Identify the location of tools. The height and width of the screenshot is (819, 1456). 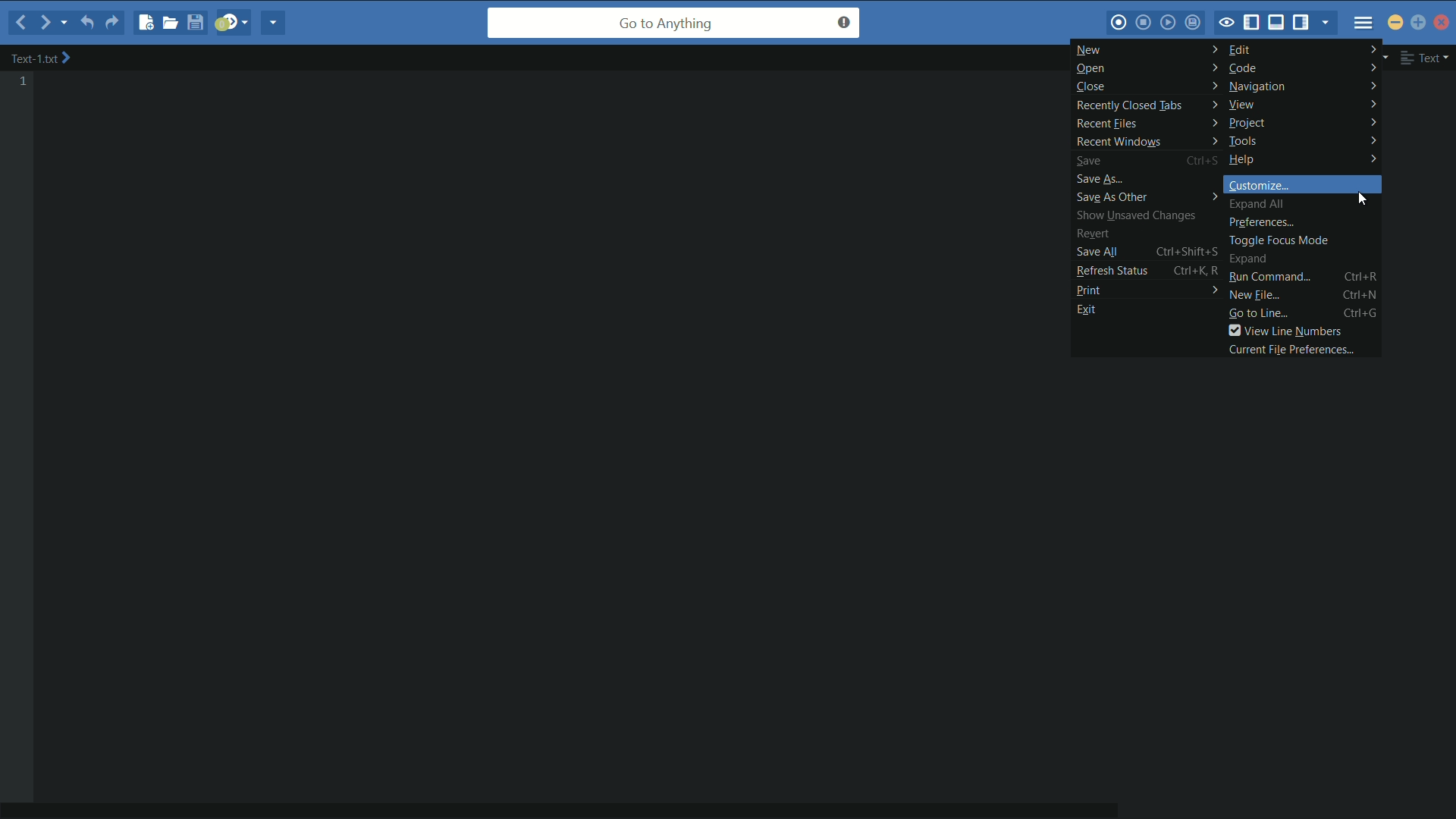
(1304, 142).